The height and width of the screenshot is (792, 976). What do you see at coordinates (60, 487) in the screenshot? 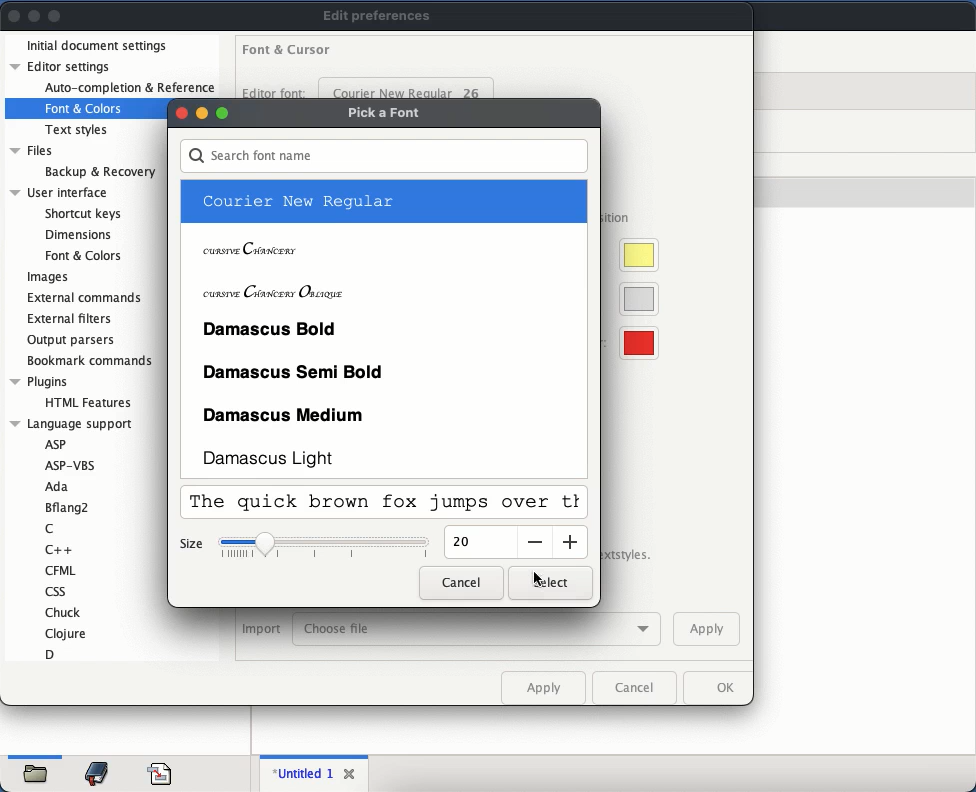
I see `Ada` at bounding box center [60, 487].